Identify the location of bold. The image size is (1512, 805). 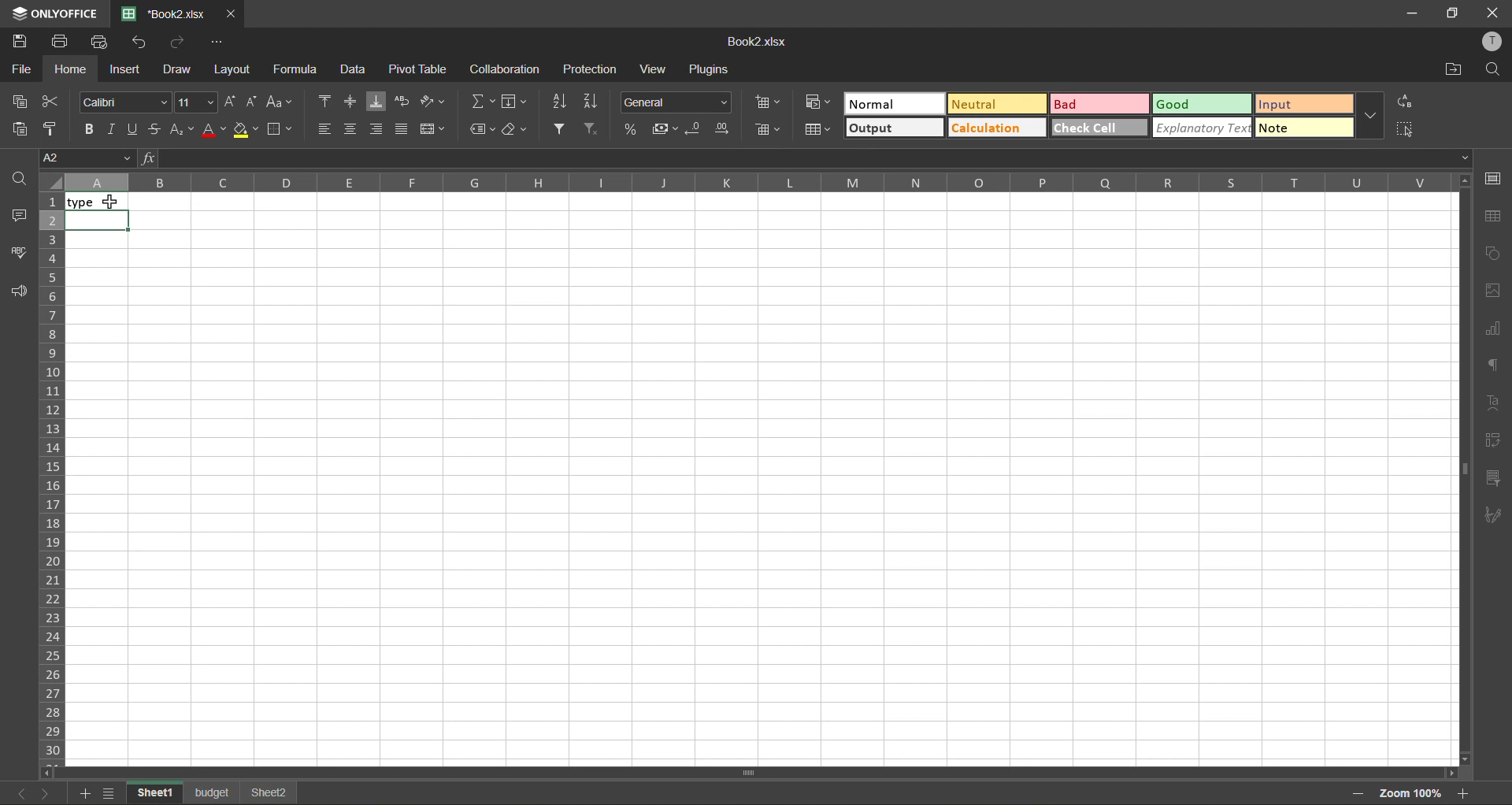
(86, 130).